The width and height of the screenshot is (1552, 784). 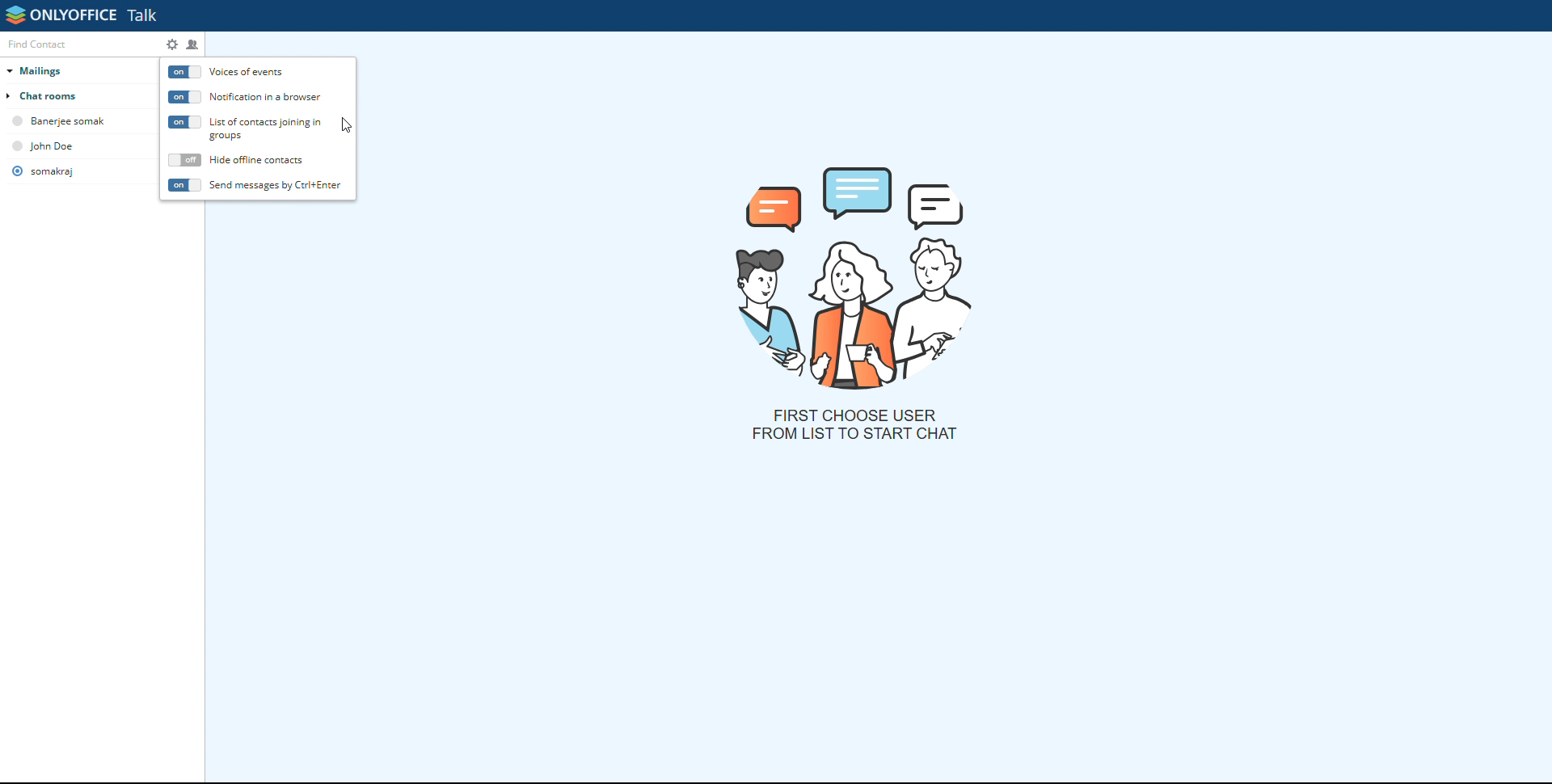 What do you see at coordinates (276, 183) in the screenshot?
I see `send messages by Ctrl+Enter` at bounding box center [276, 183].